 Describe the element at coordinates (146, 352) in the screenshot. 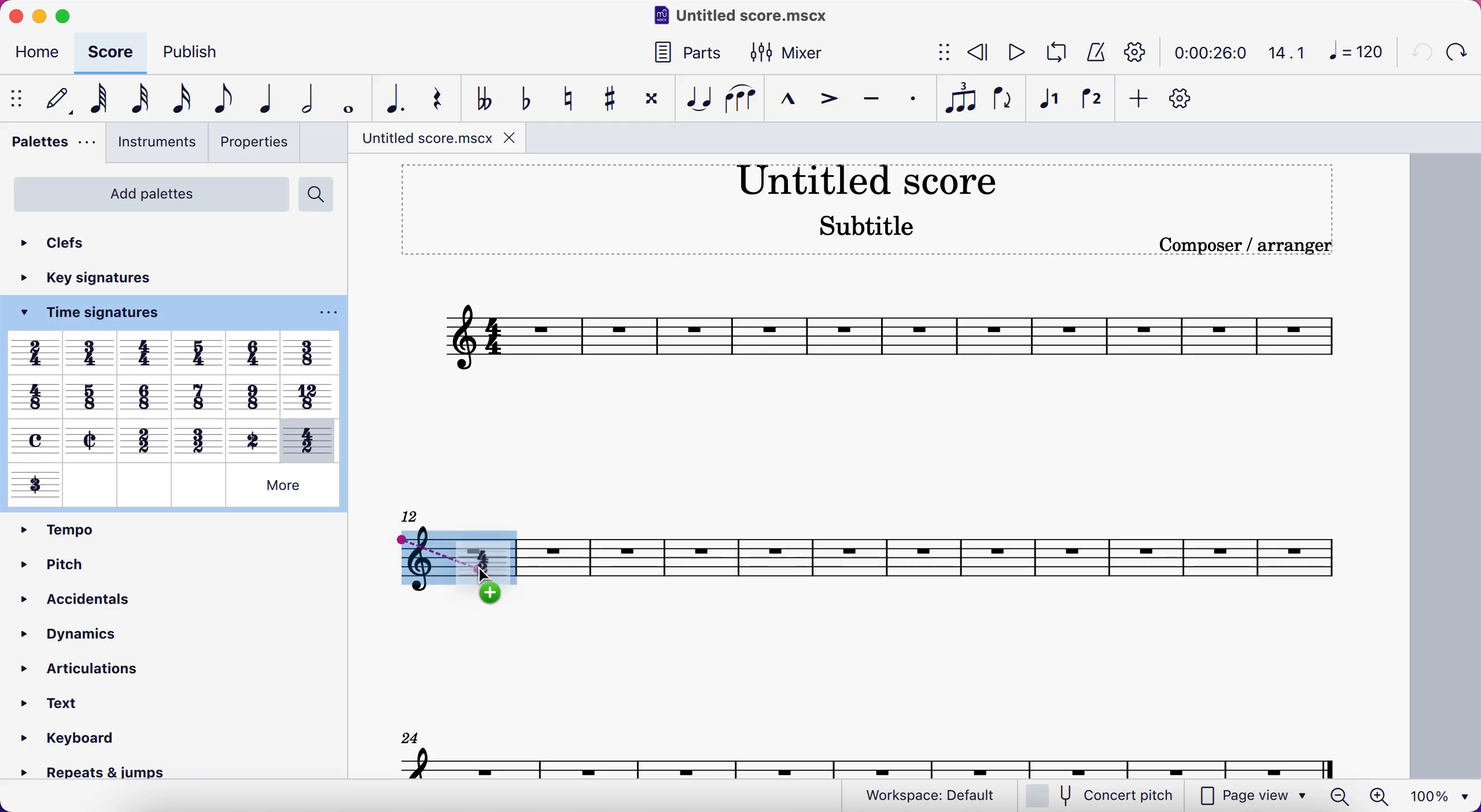

I see `` at that location.